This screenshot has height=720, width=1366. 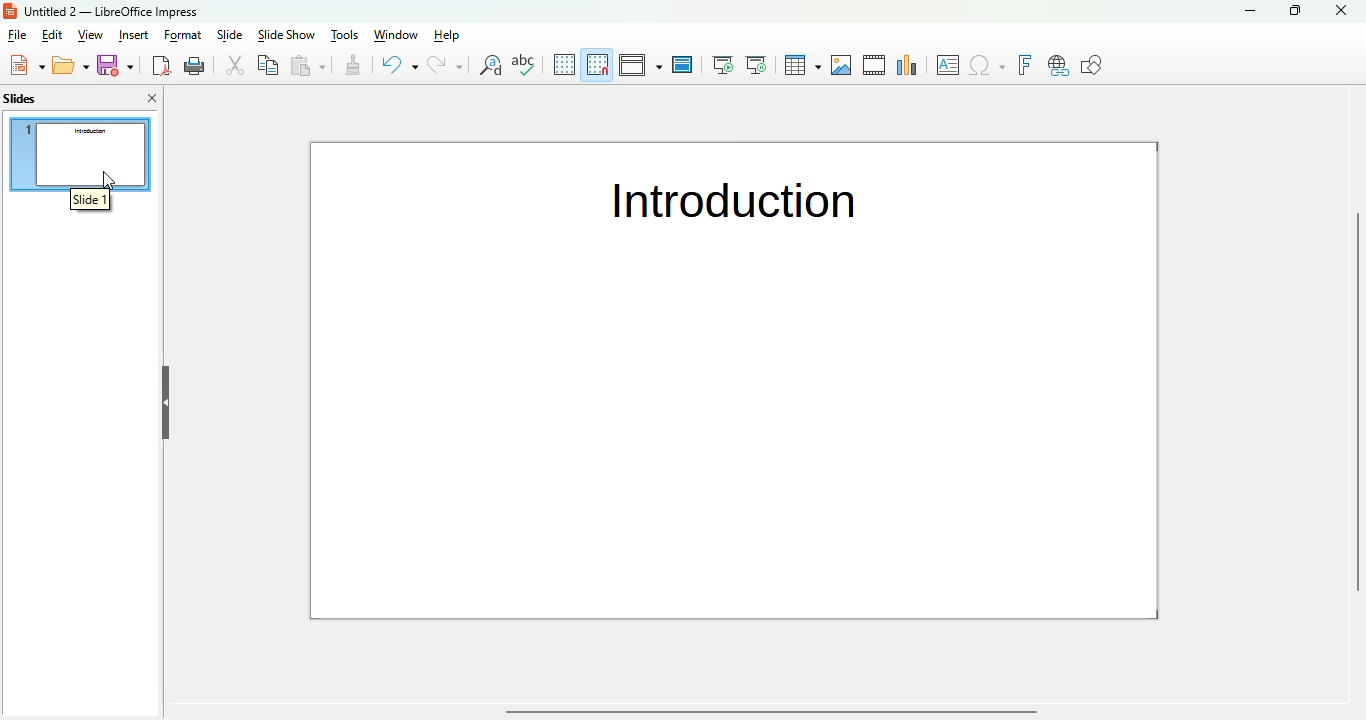 What do you see at coordinates (111, 11) in the screenshot?
I see `untitled 2 - libreoffice impress` at bounding box center [111, 11].